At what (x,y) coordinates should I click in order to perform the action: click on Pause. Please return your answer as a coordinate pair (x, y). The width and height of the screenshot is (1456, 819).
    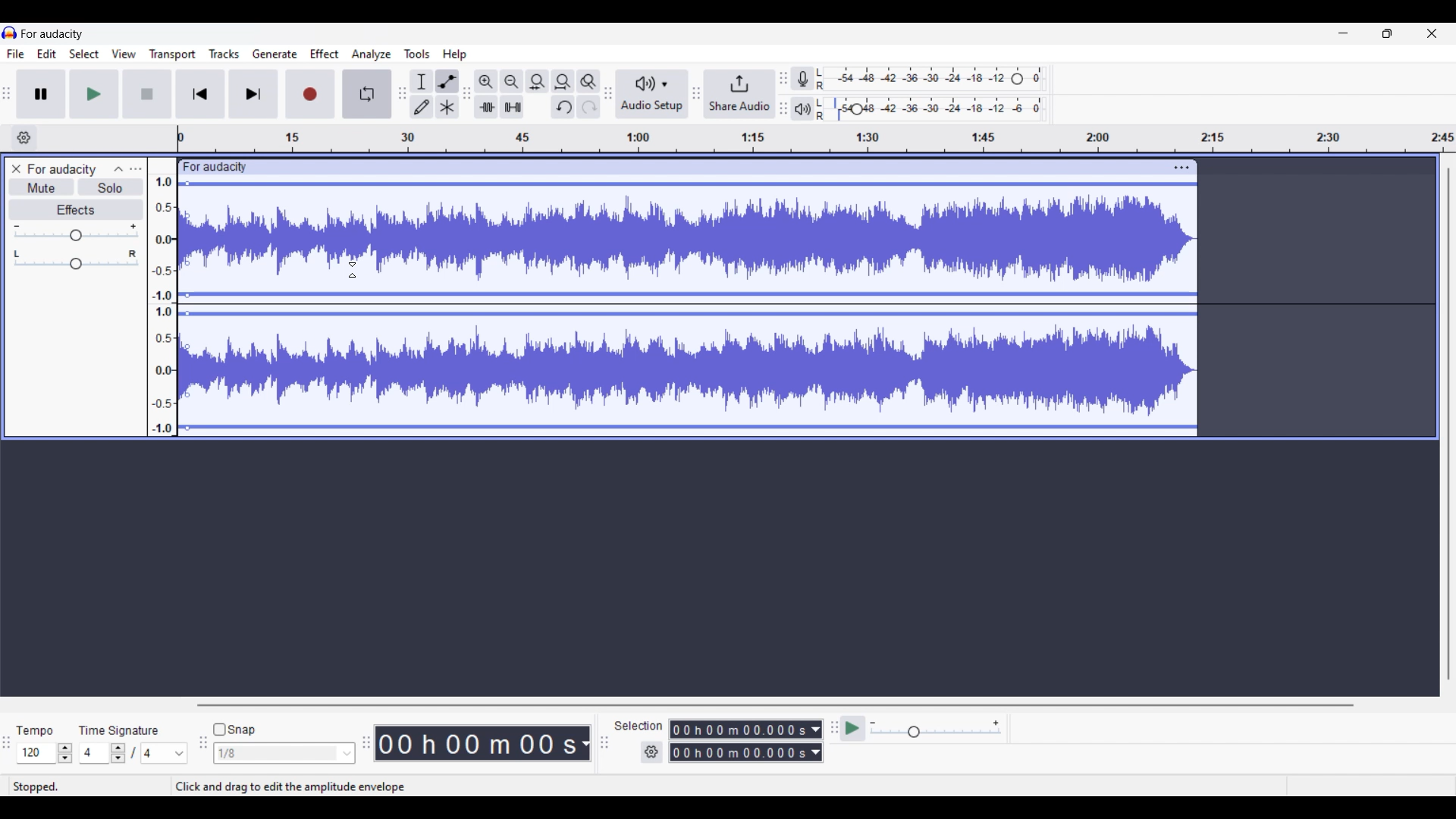
    Looking at the image, I should click on (41, 94).